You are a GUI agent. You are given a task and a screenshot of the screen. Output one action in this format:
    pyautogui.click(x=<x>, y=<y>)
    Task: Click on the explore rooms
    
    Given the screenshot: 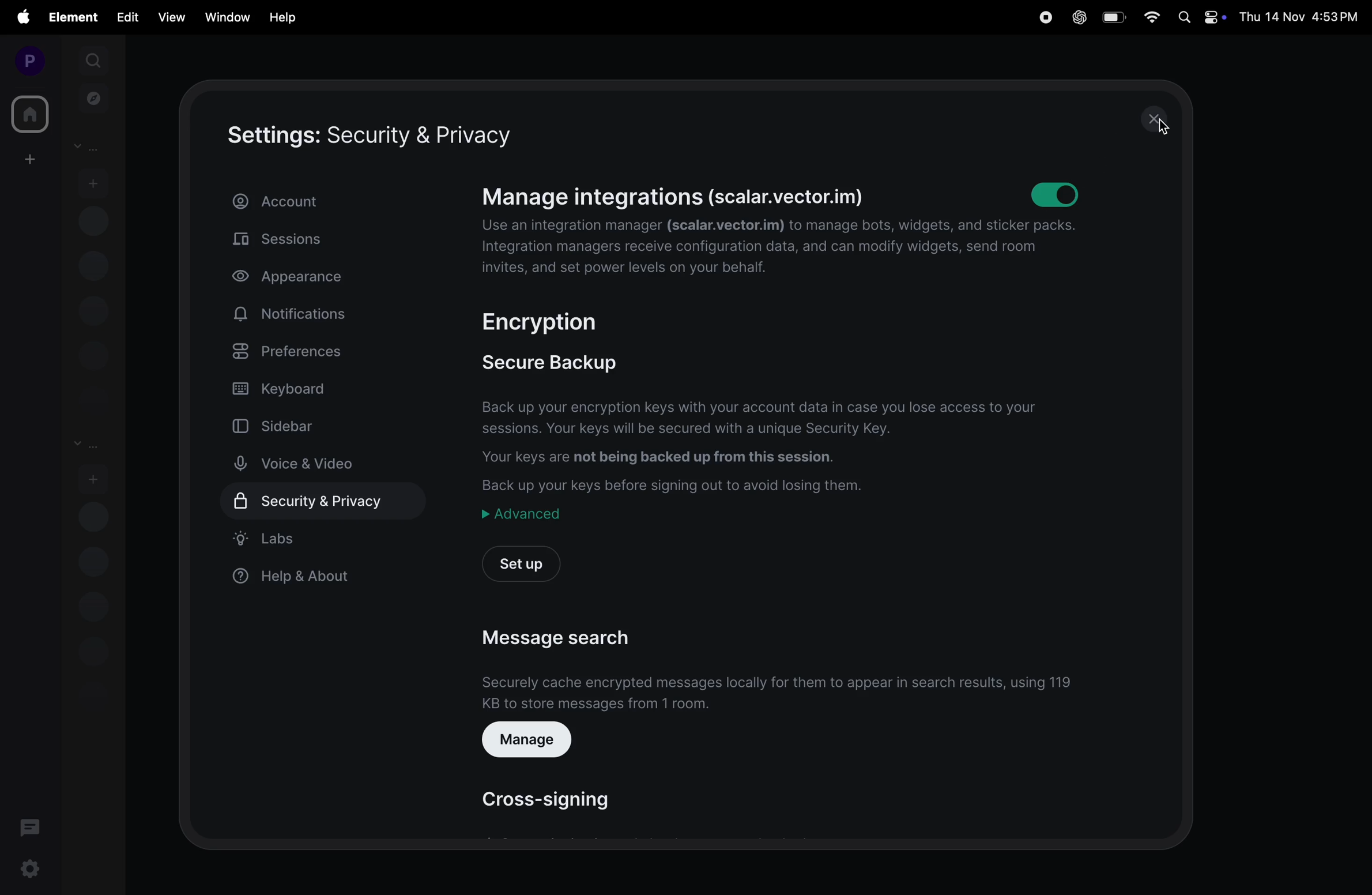 What is the action you would take?
    pyautogui.click(x=96, y=101)
    